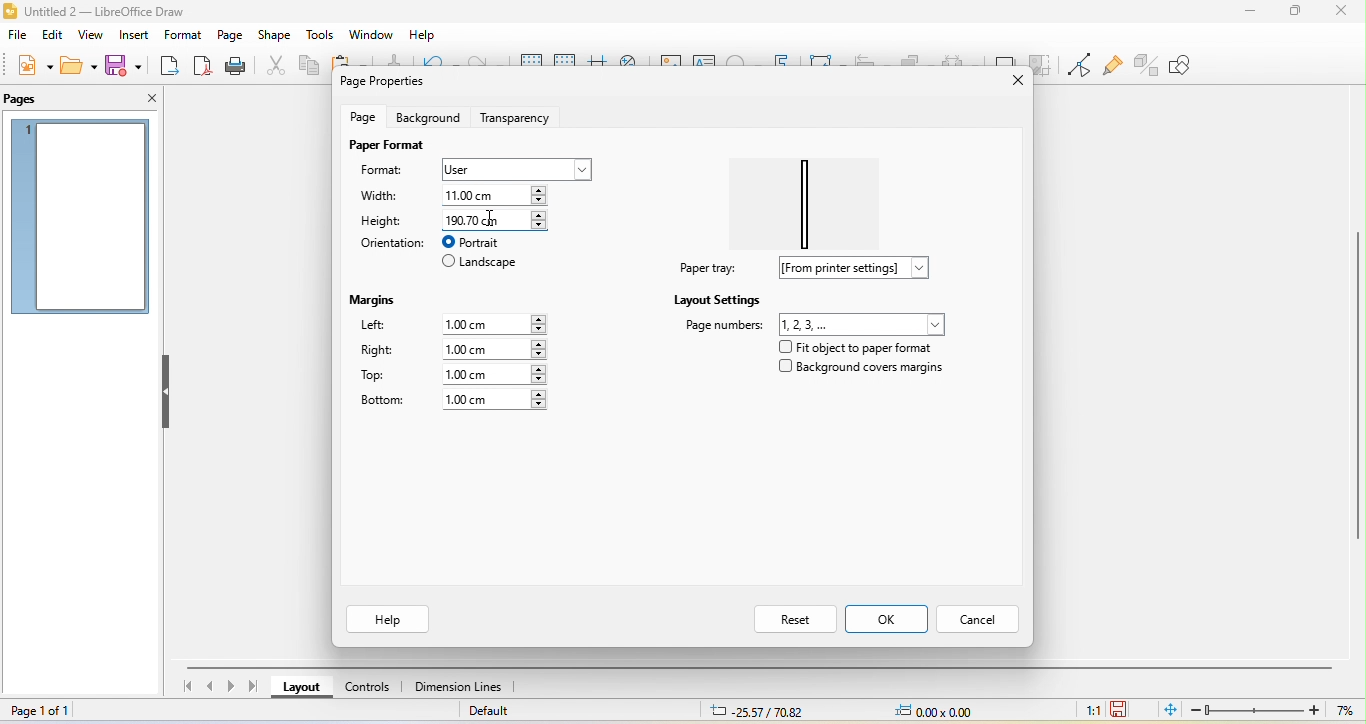 The height and width of the screenshot is (724, 1366). I want to click on first page, so click(185, 689).